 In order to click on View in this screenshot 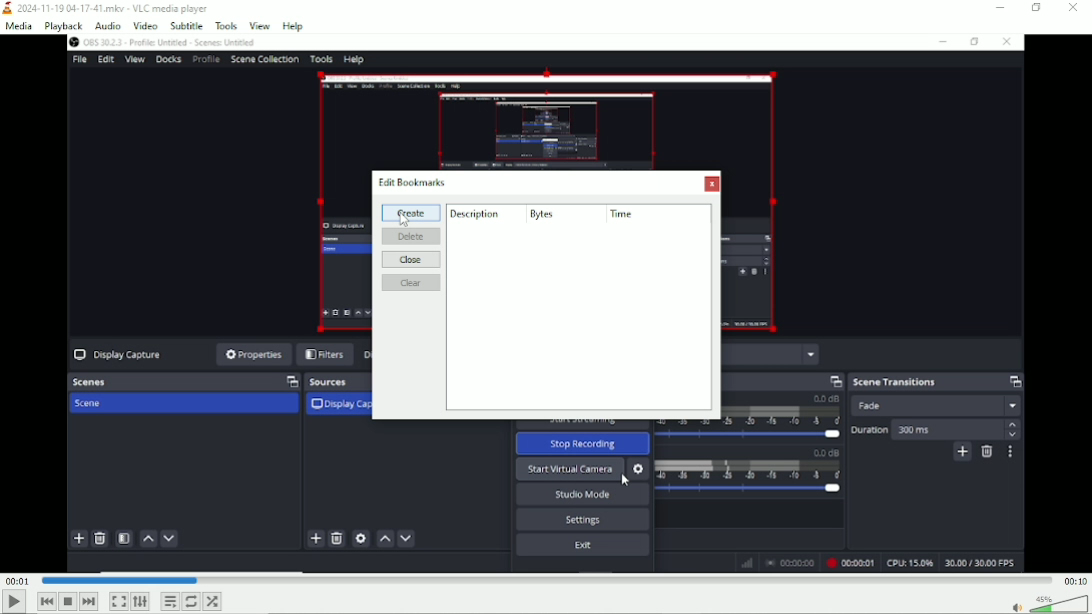, I will do `click(258, 26)`.